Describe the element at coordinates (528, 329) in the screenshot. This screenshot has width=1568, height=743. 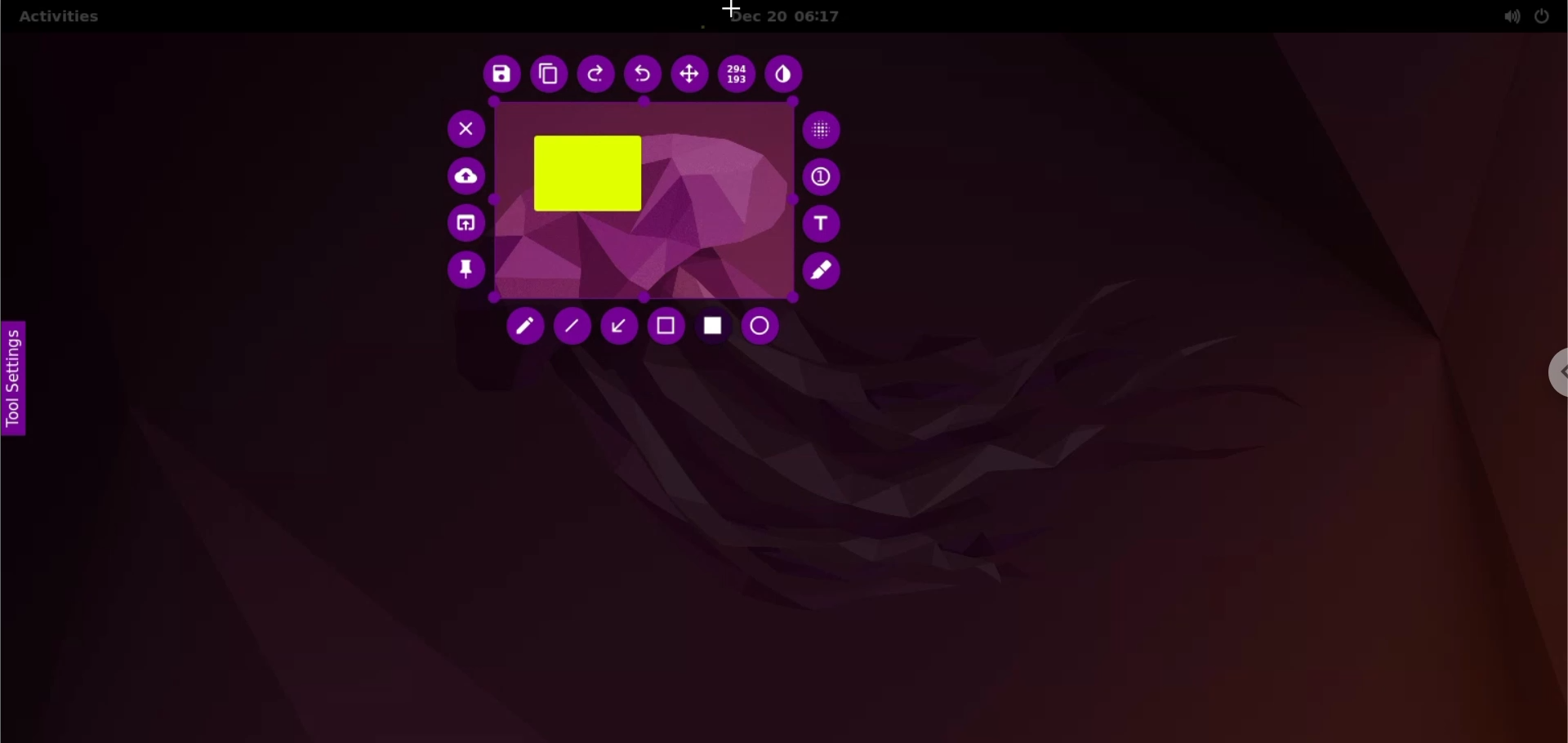
I see `pencil` at that location.